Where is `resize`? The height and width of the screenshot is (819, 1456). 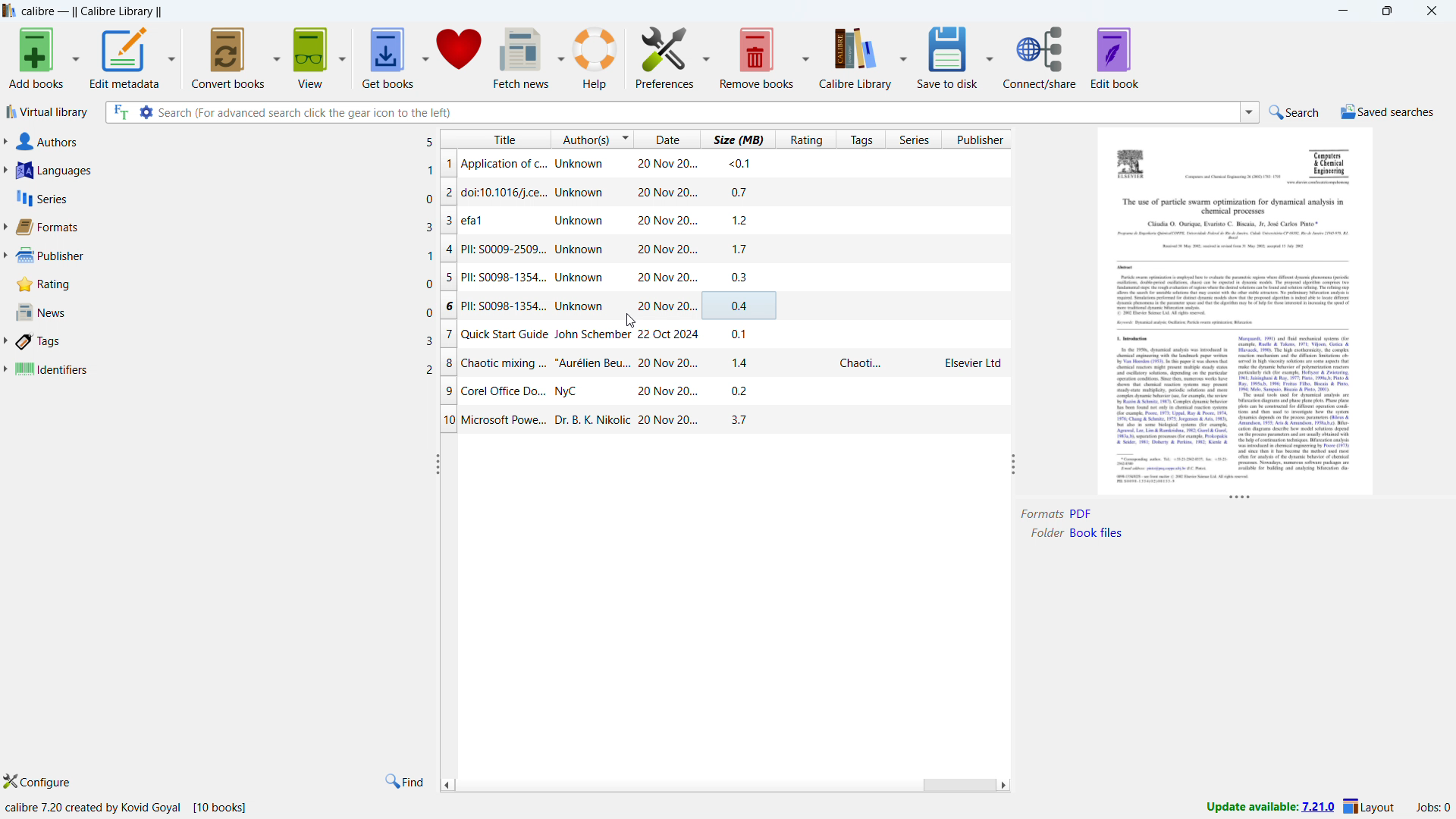 resize is located at coordinates (438, 464).